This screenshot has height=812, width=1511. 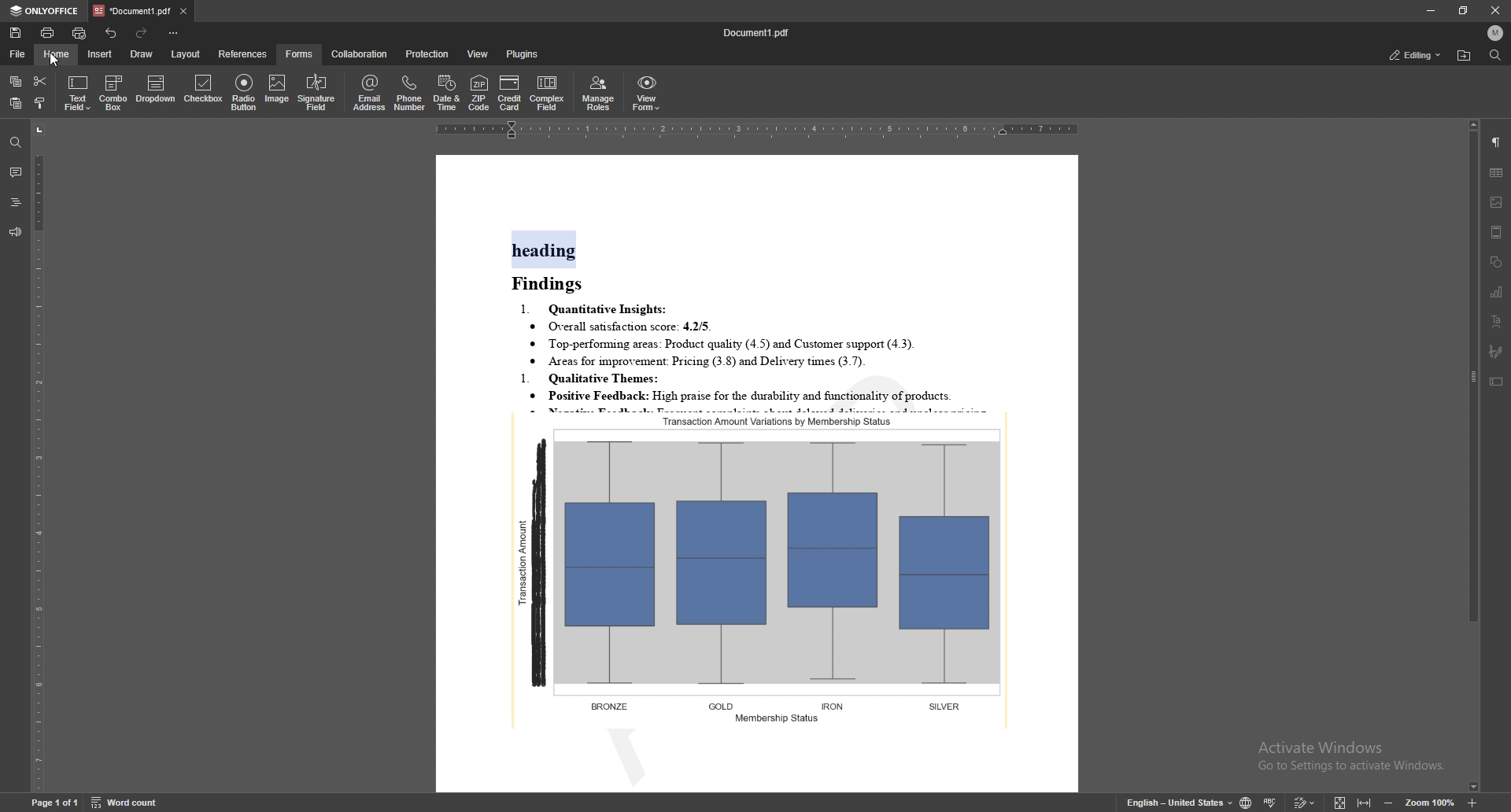 I want to click on save, so click(x=15, y=34).